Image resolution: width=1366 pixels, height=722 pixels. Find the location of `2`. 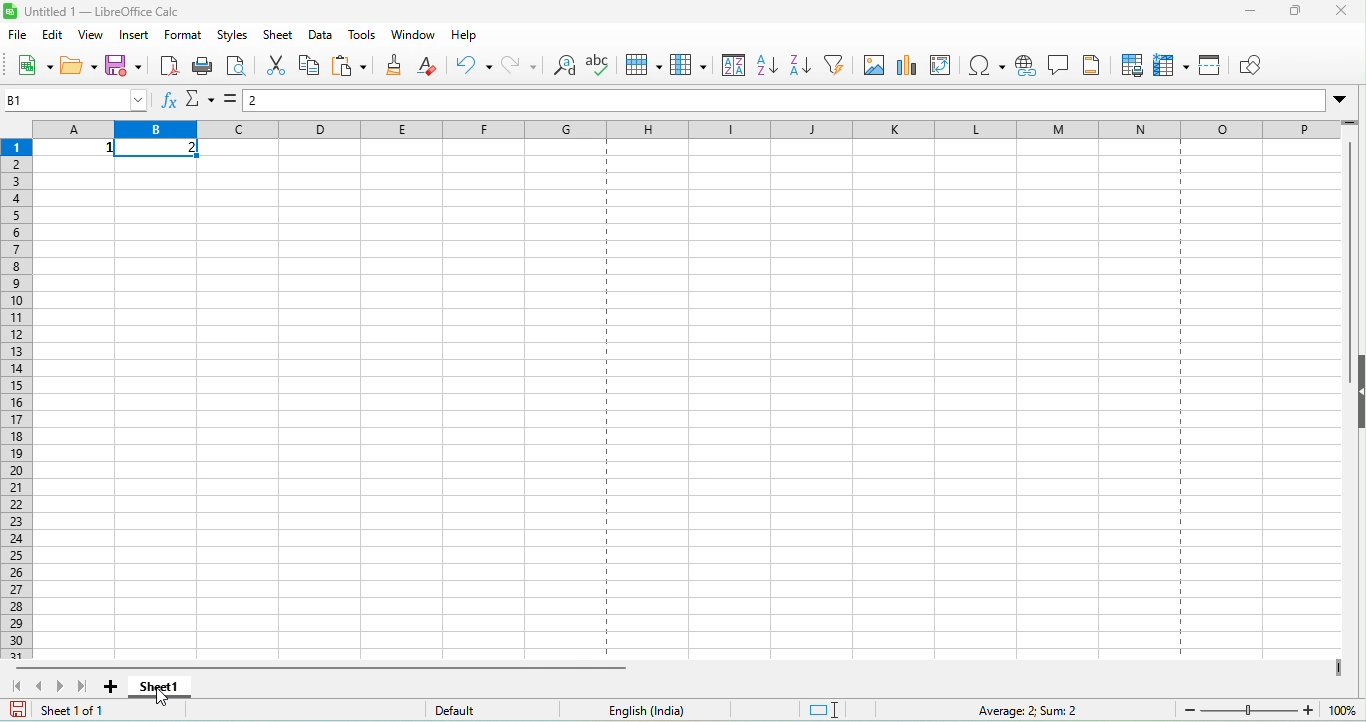

2 is located at coordinates (161, 149).